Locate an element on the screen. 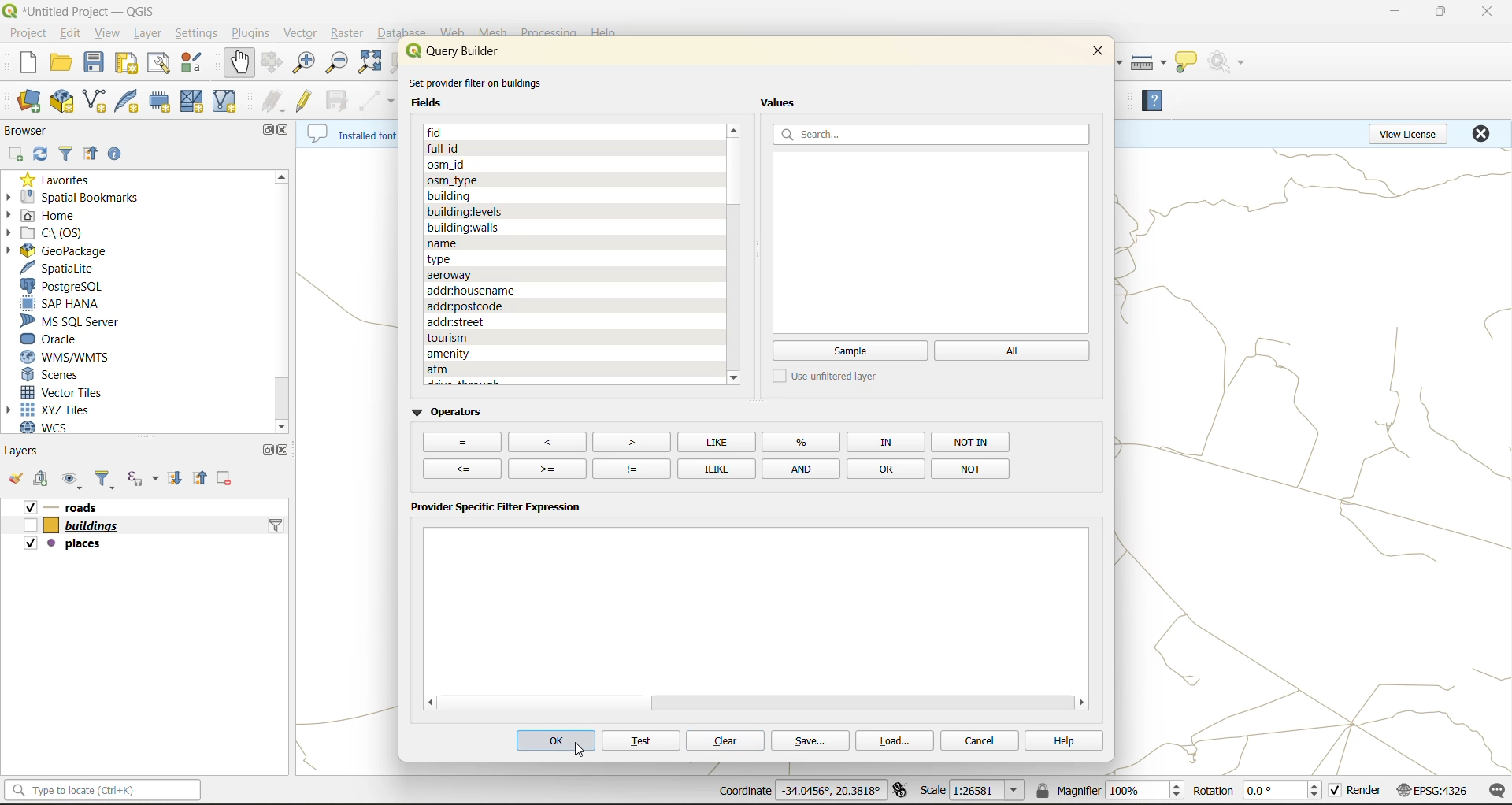 This screenshot has width=1512, height=805. cleared field is located at coordinates (758, 606).